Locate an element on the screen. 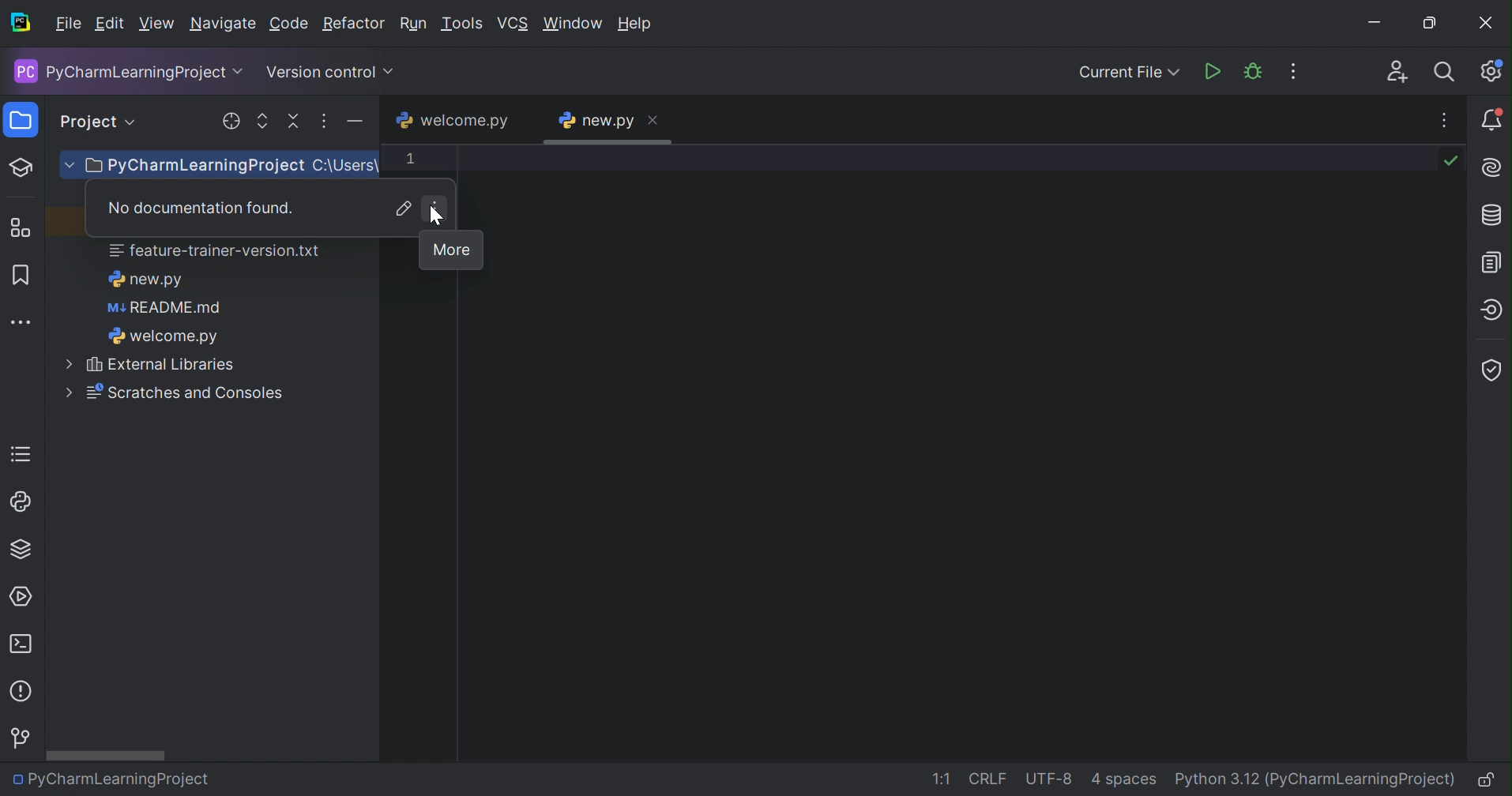  minimize is located at coordinates (358, 123).